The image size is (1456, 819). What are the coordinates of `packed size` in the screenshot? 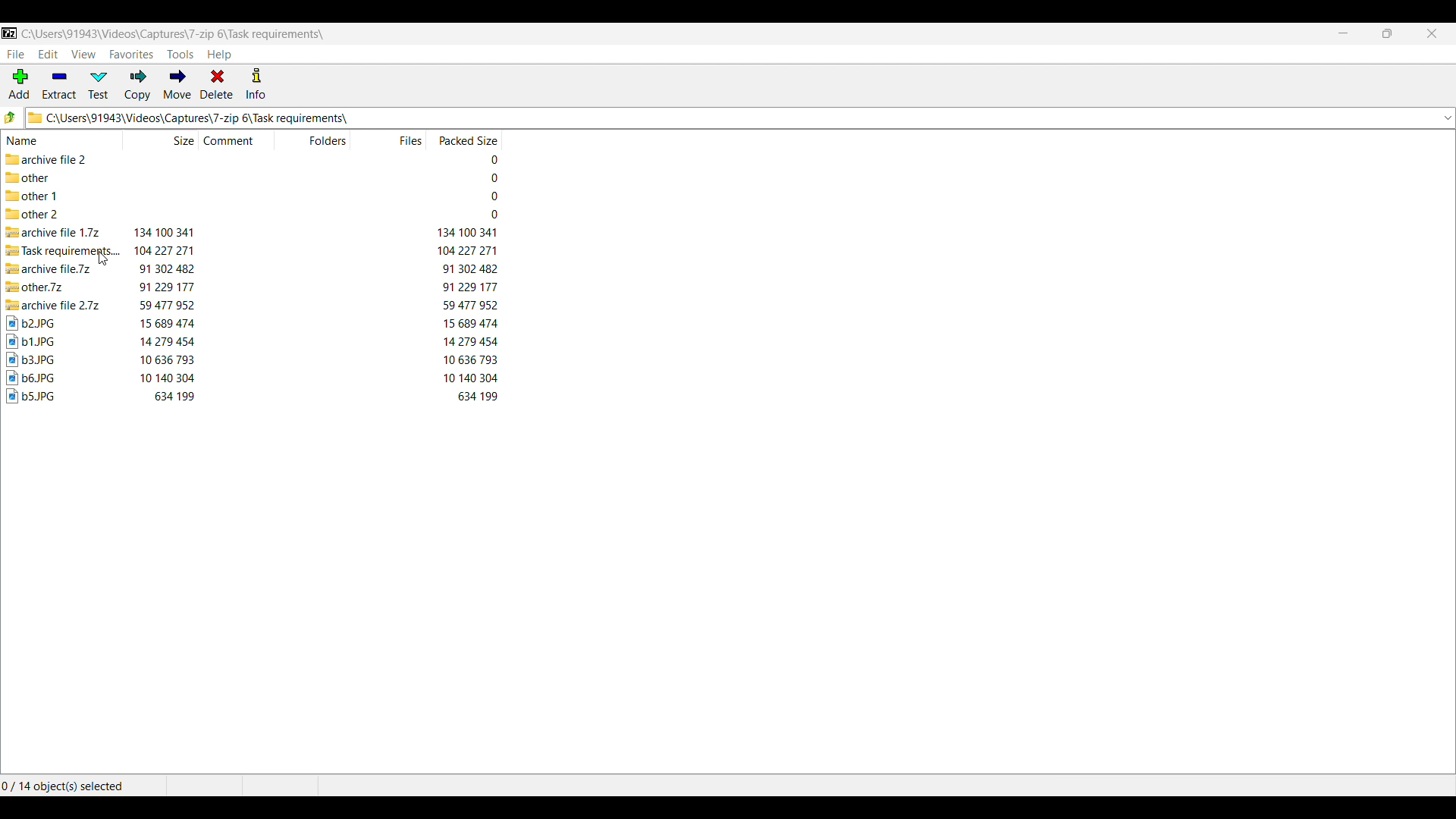 It's located at (463, 323).